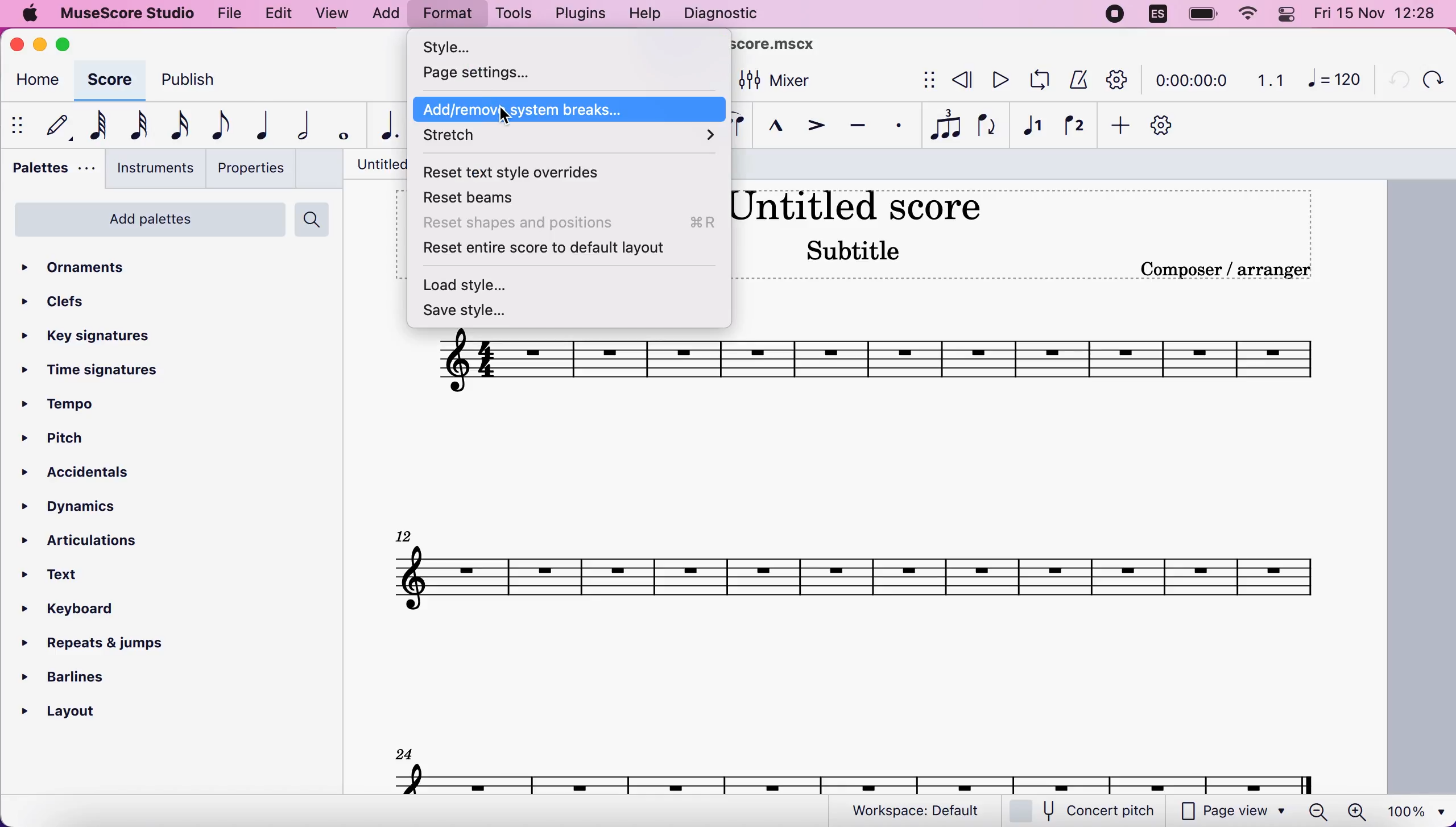 The height and width of the screenshot is (827, 1456). What do you see at coordinates (775, 81) in the screenshot?
I see `mixer` at bounding box center [775, 81].